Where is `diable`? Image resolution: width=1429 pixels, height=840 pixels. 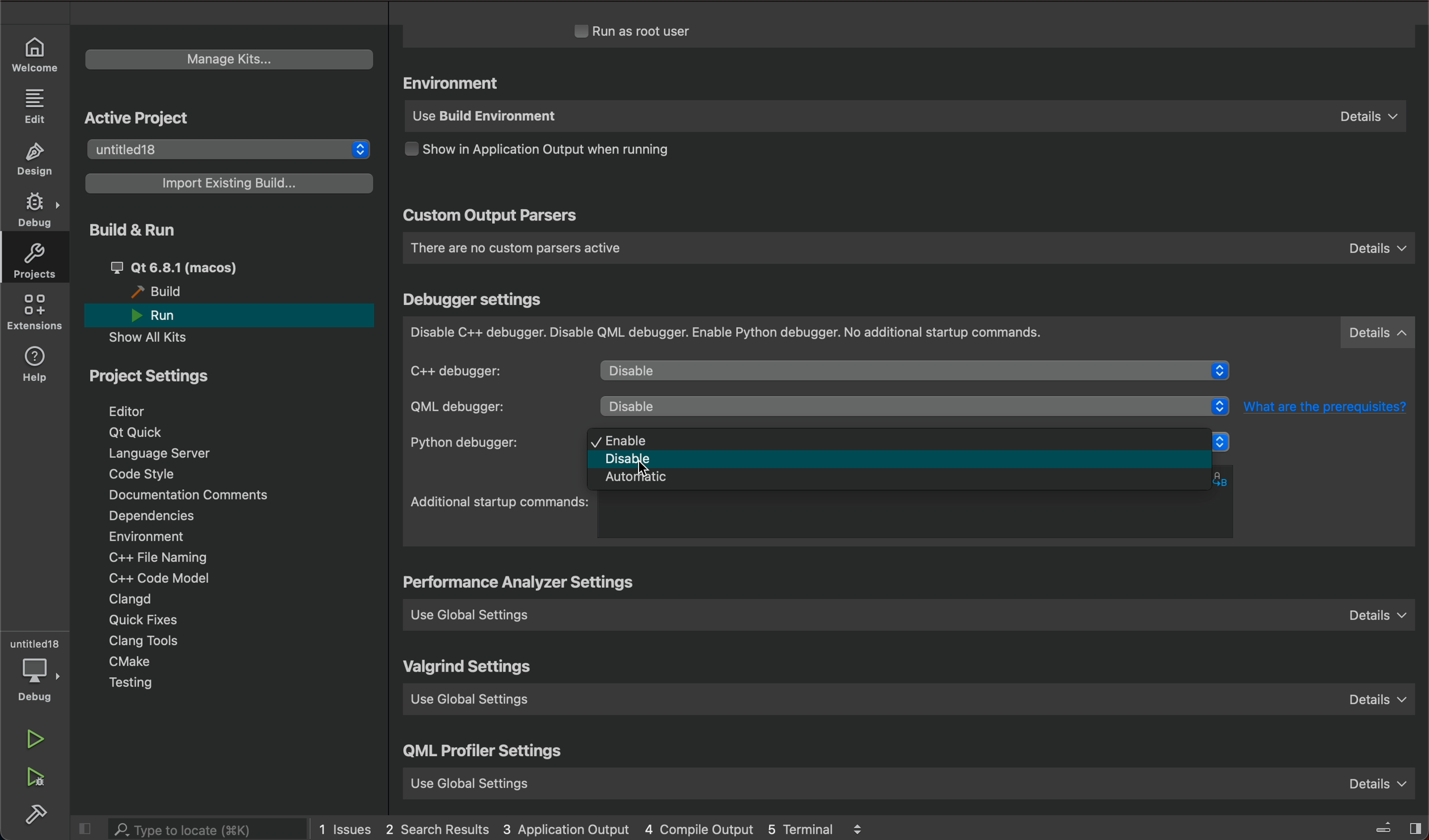 diable is located at coordinates (916, 372).